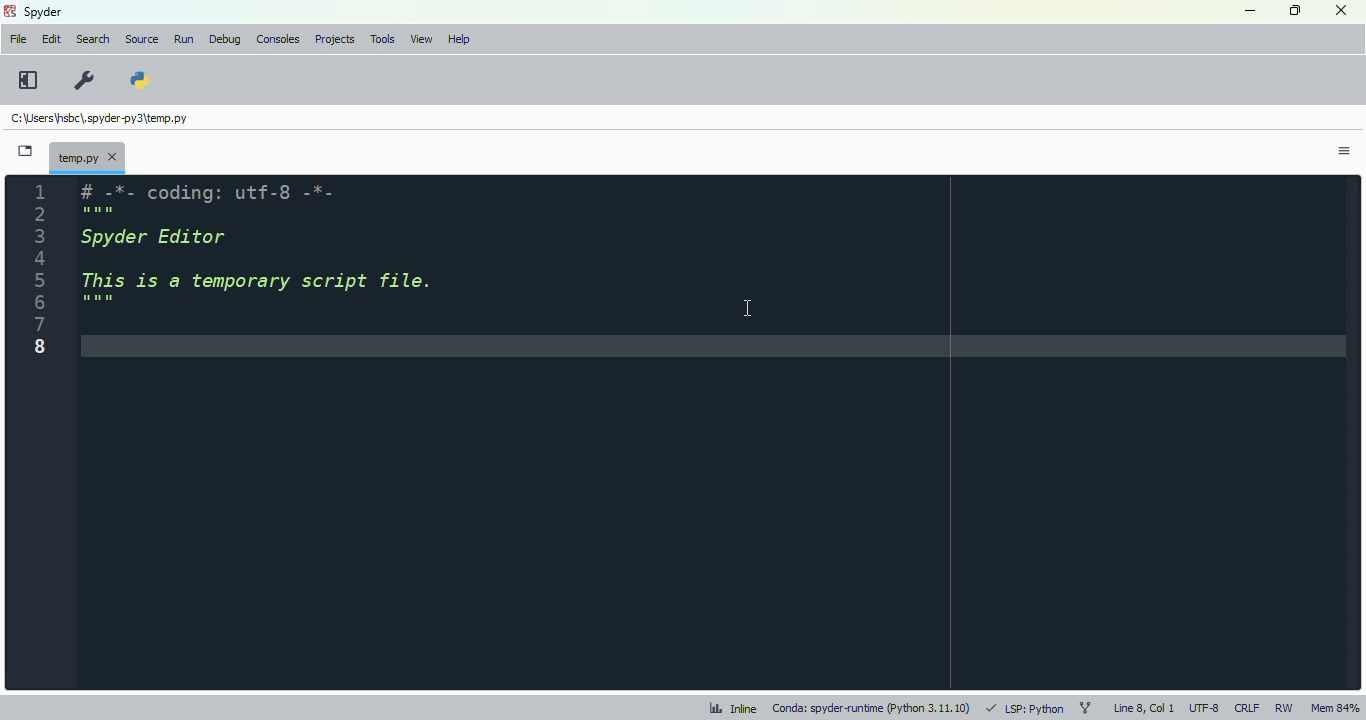 This screenshot has height=720, width=1366. Describe the element at coordinates (278, 39) in the screenshot. I see `consoles` at that location.